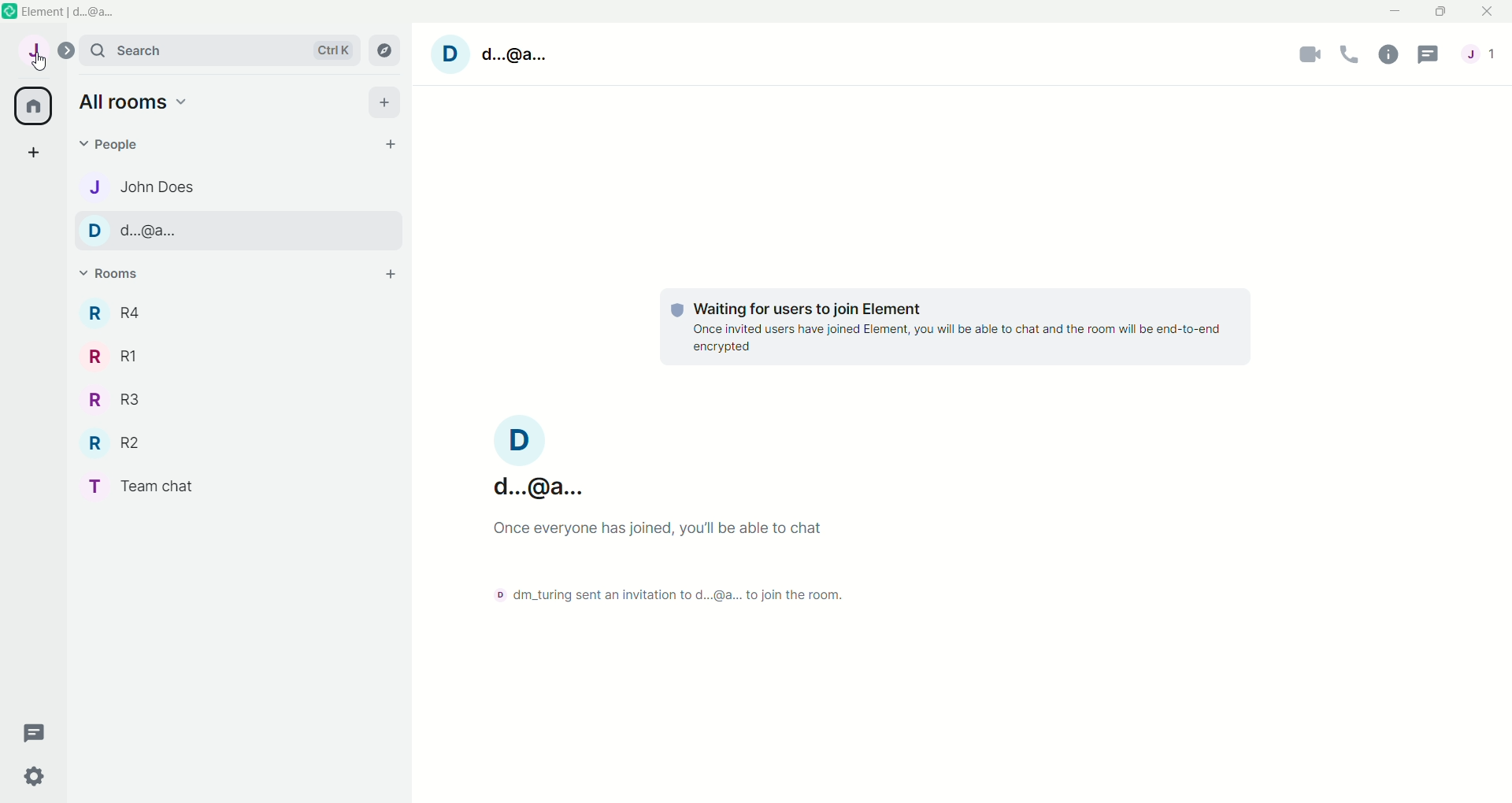 This screenshot has width=1512, height=803. I want to click on Search bar, so click(220, 52).